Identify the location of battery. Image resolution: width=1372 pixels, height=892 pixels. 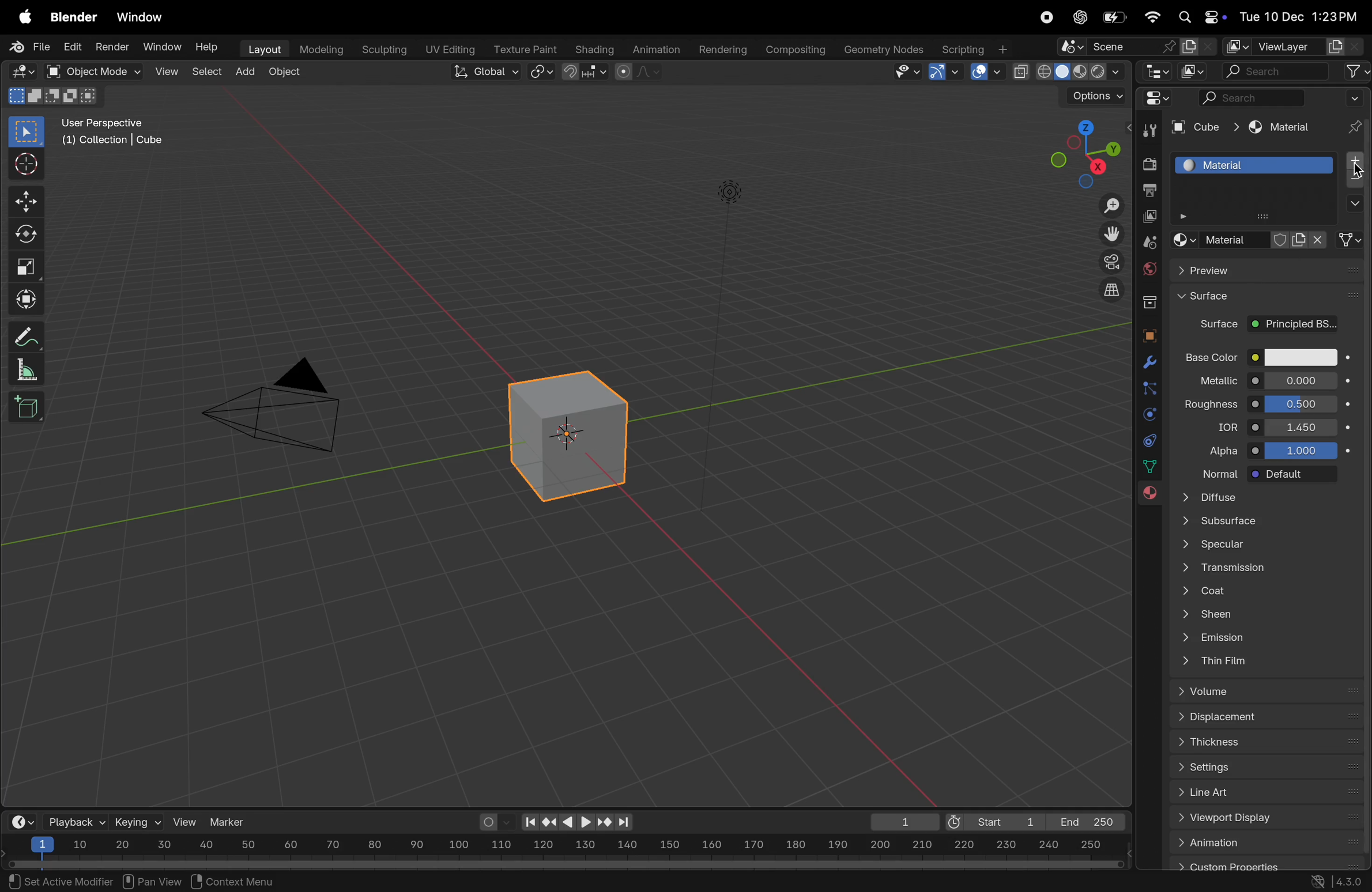
(1117, 17).